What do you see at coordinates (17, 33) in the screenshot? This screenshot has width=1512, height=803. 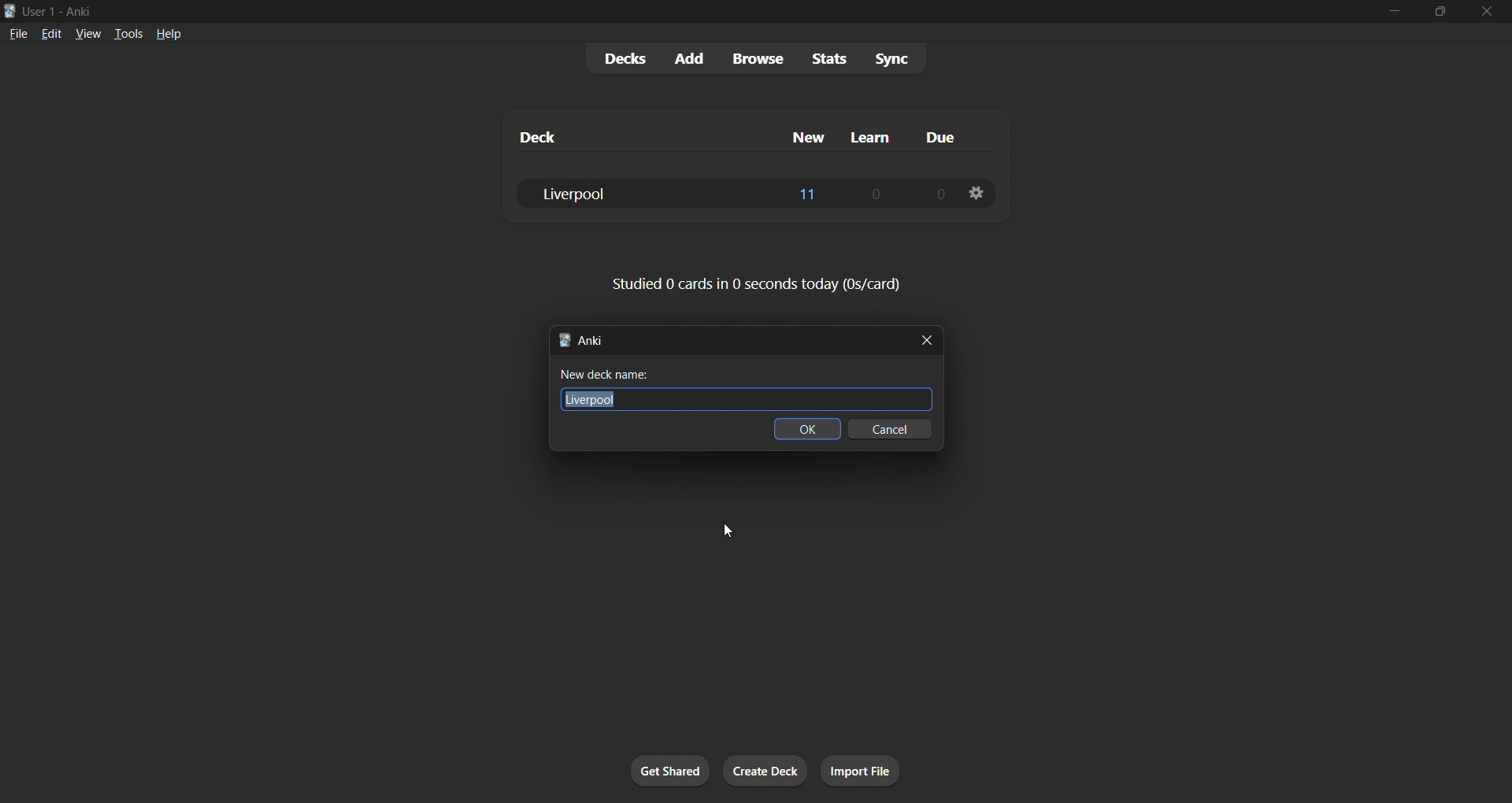 I see `file` at bounding box center [17, 33].